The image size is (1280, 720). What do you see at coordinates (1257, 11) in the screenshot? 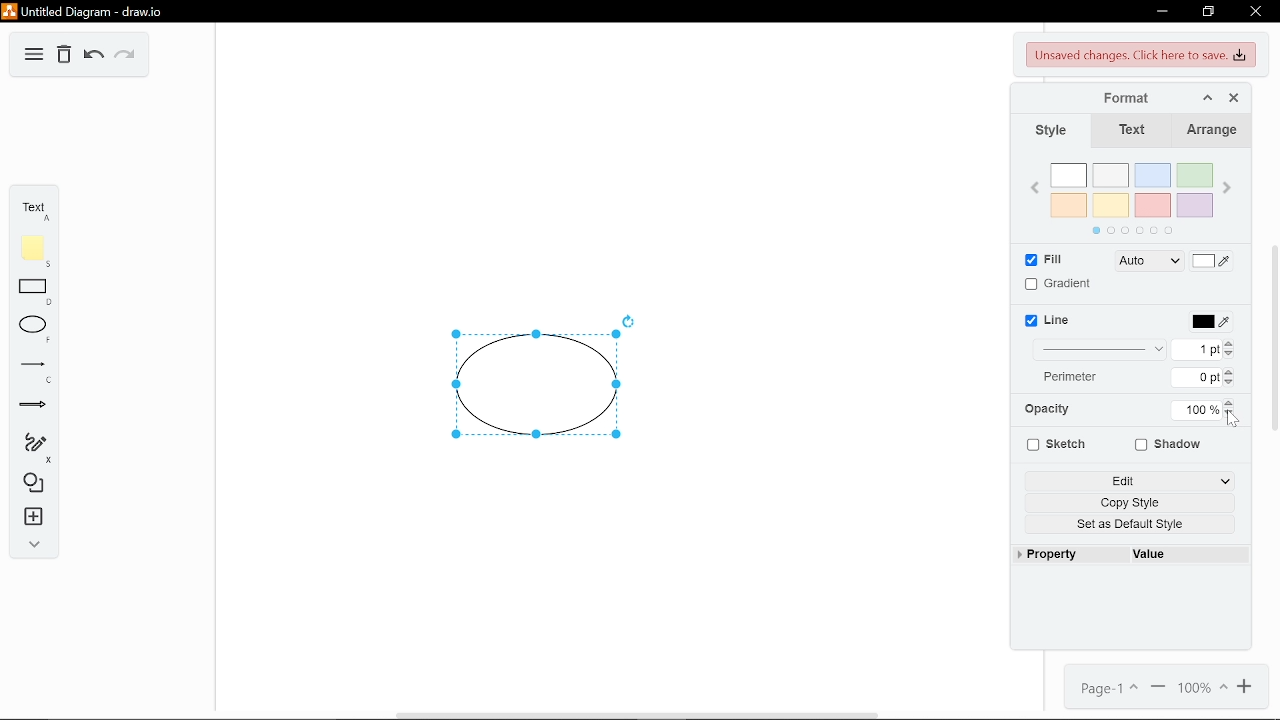
I see `Close` at bounding box center [1257, 11].